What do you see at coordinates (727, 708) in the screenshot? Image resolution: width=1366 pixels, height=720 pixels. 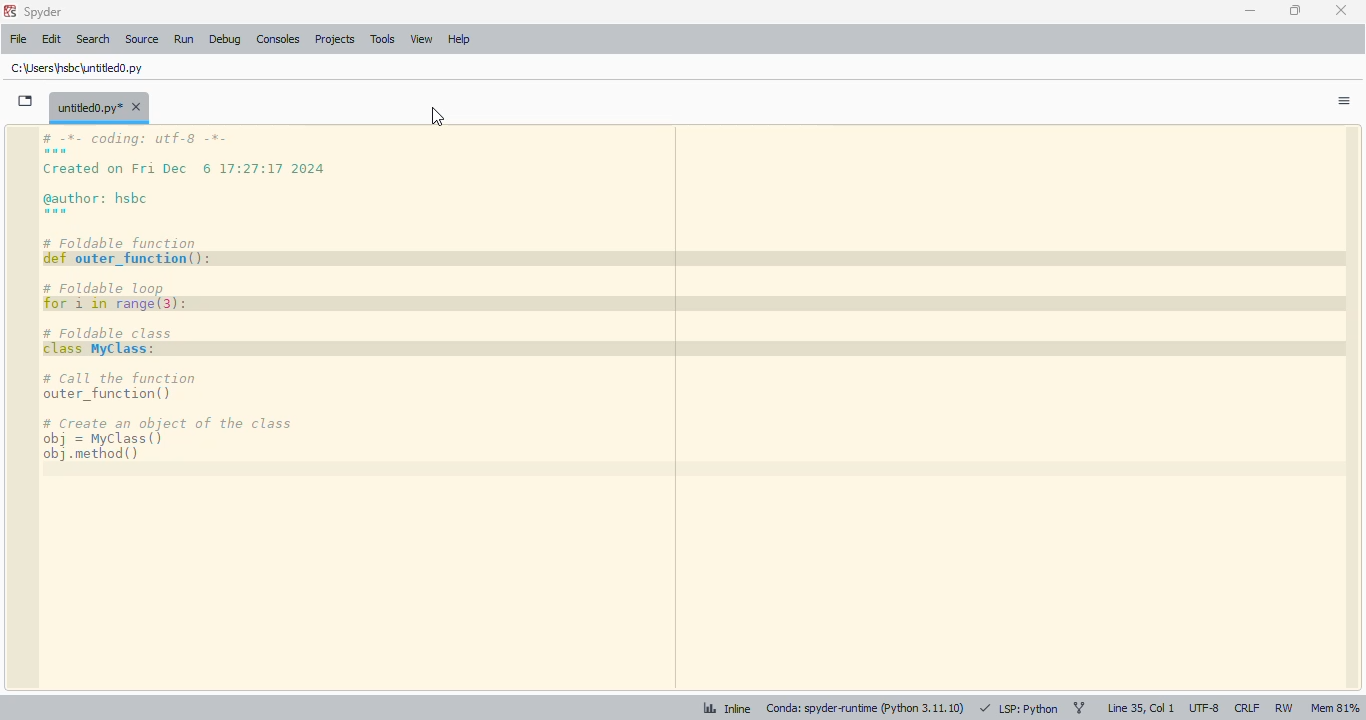 I see `inline` at bounding box center [727, 708].